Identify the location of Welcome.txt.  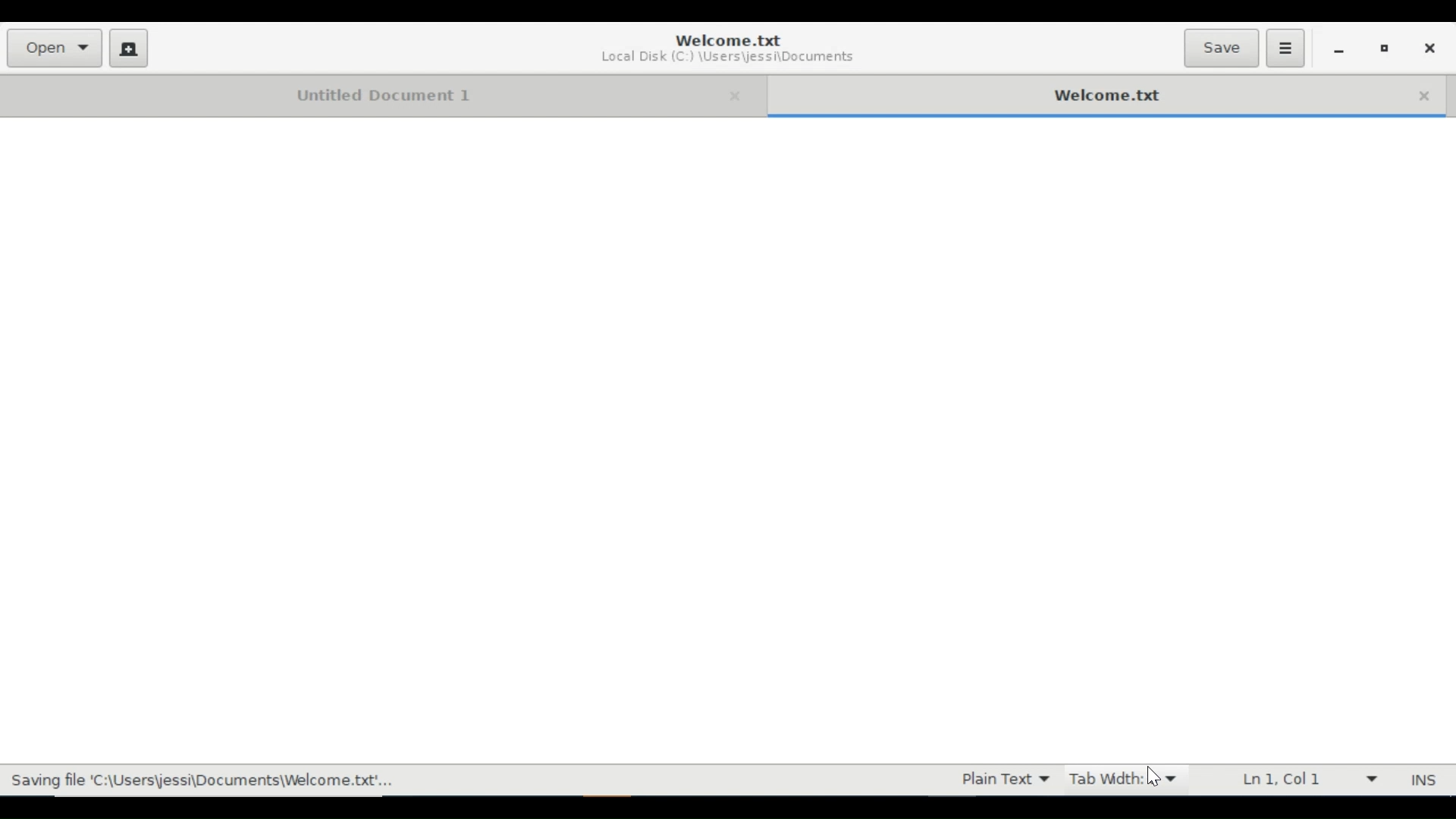
(1070, 95).